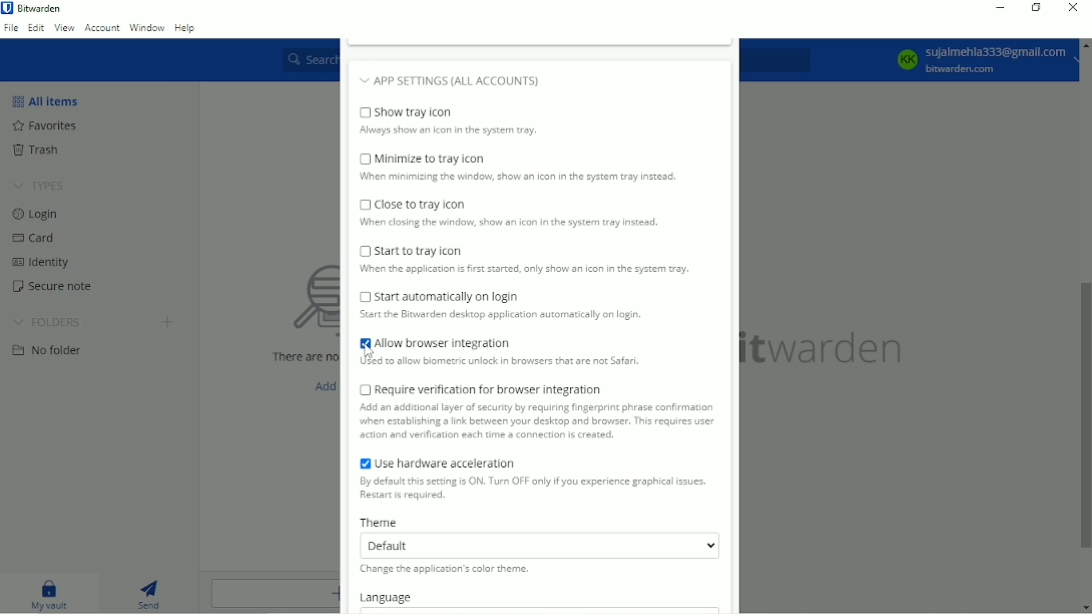  I want to click on Identity, so click(38, 262).